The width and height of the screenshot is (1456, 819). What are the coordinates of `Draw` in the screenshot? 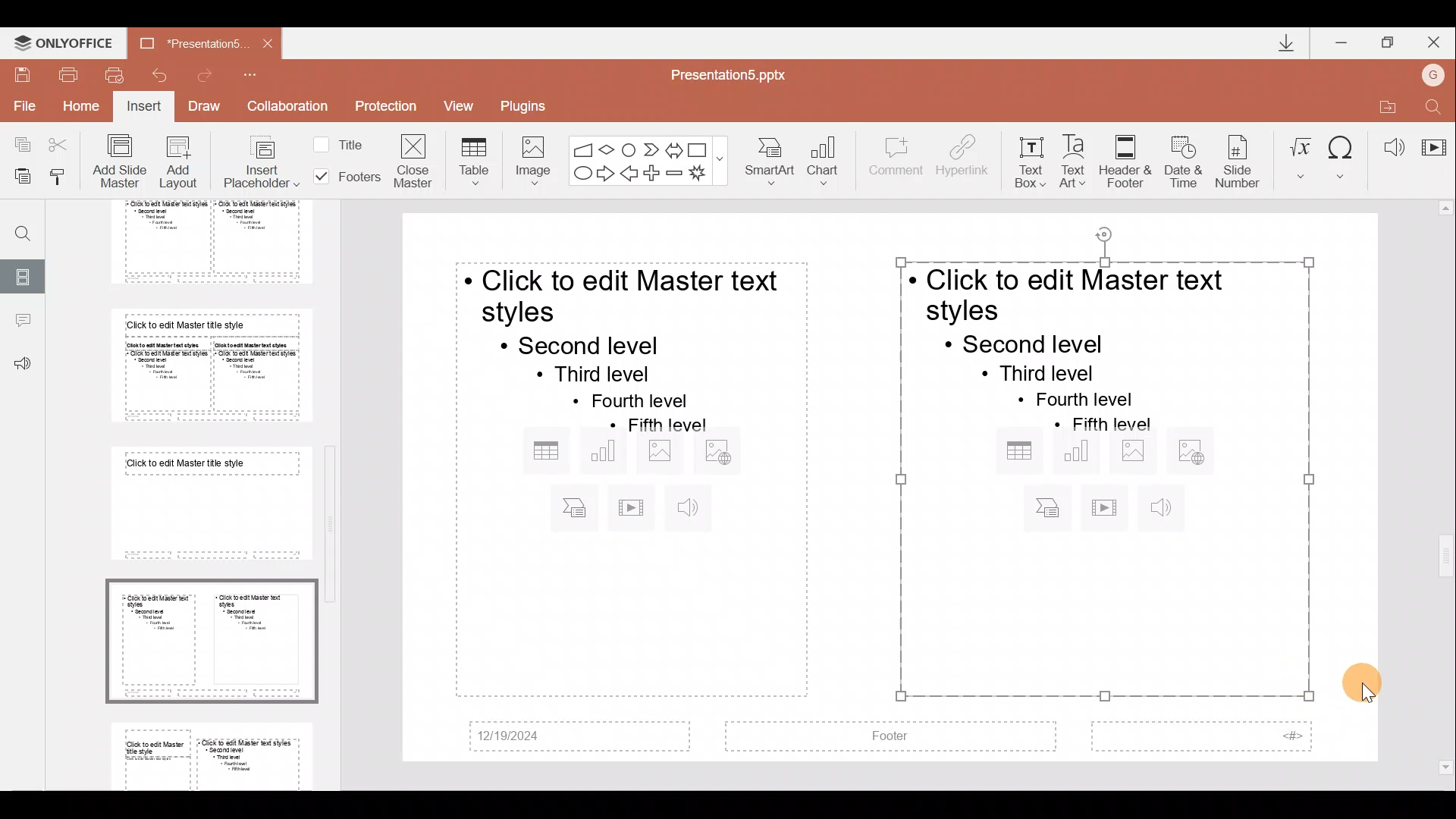 It's located at (209, 108).